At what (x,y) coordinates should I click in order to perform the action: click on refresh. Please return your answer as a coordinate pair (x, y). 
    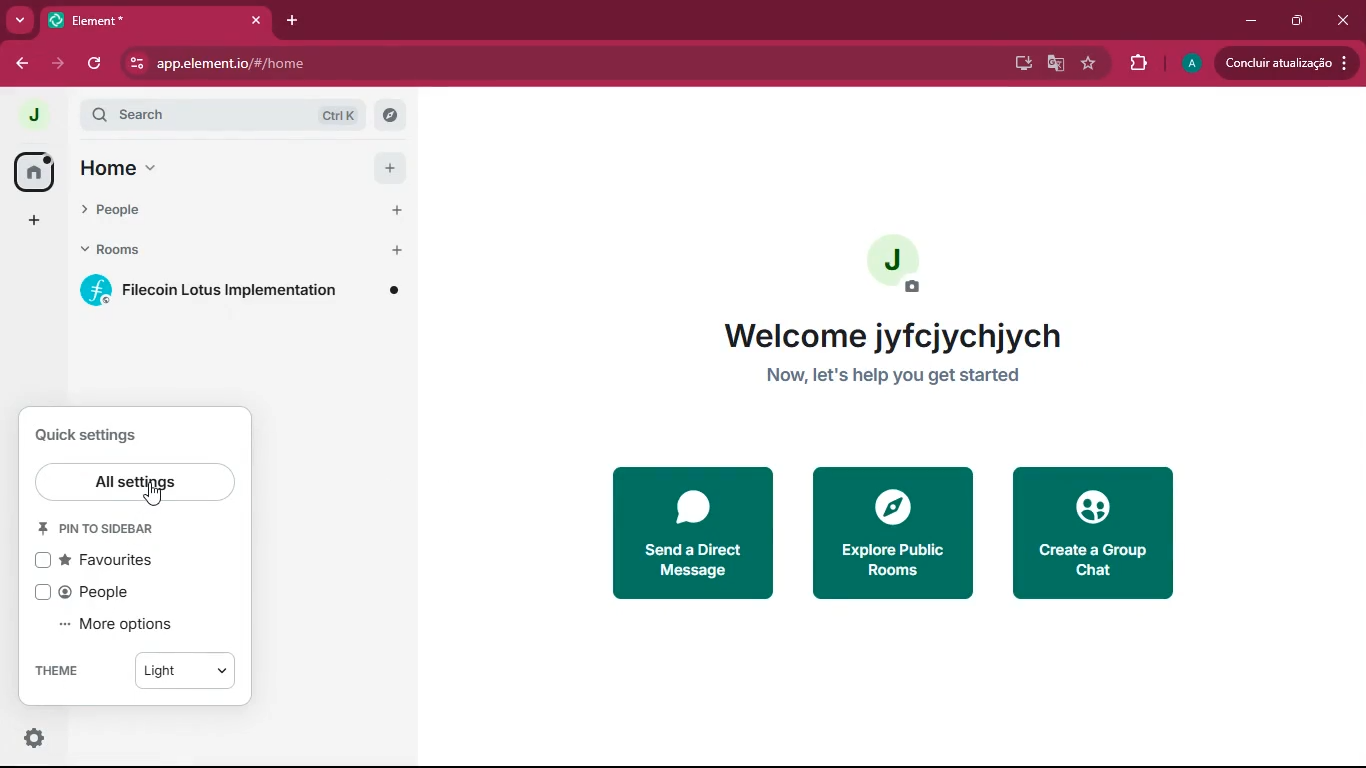
    Looking at the image, I should click on (96, 63).